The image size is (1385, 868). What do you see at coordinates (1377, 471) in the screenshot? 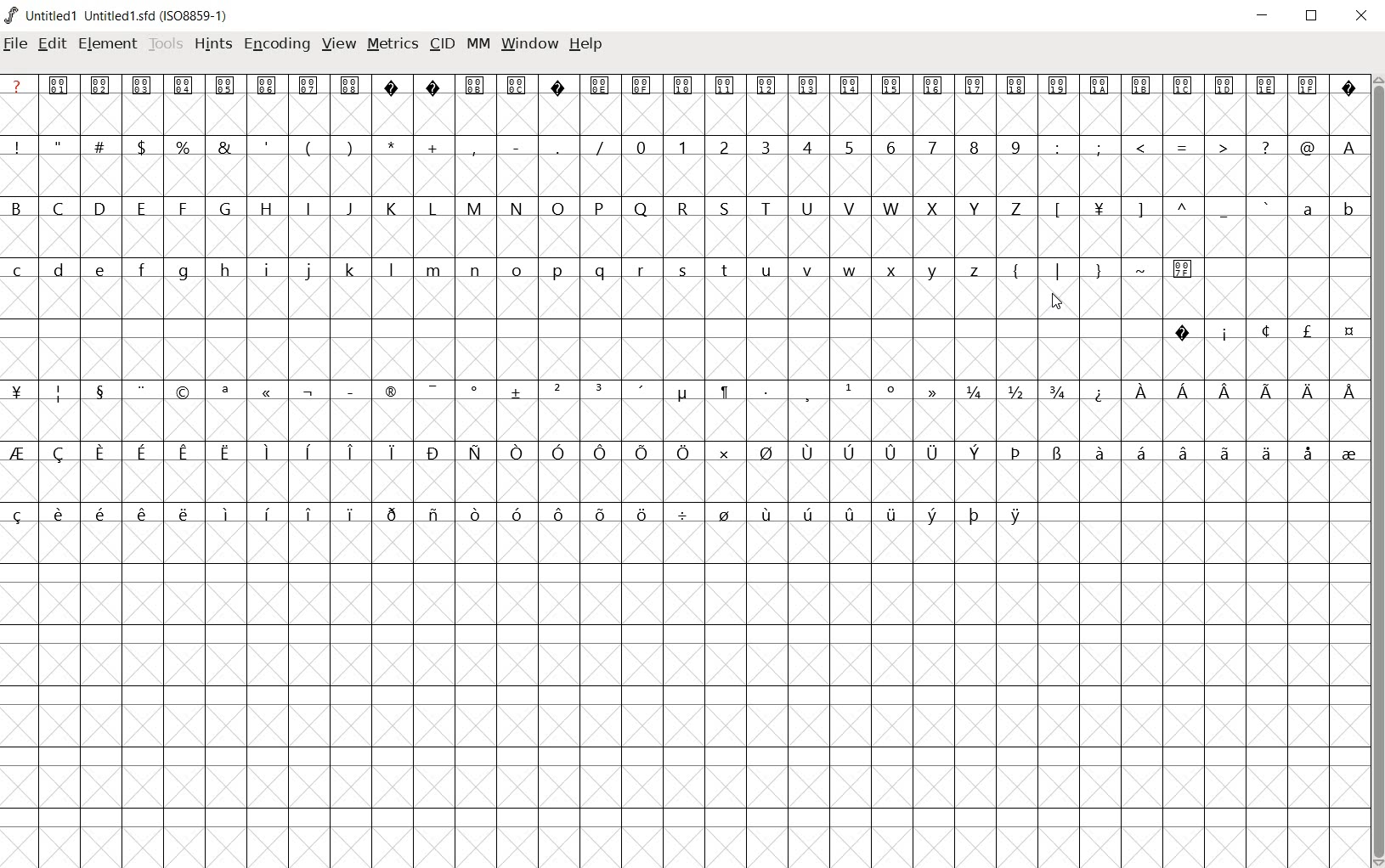
I see `scrollbar` at bounding box center [1377, 471].